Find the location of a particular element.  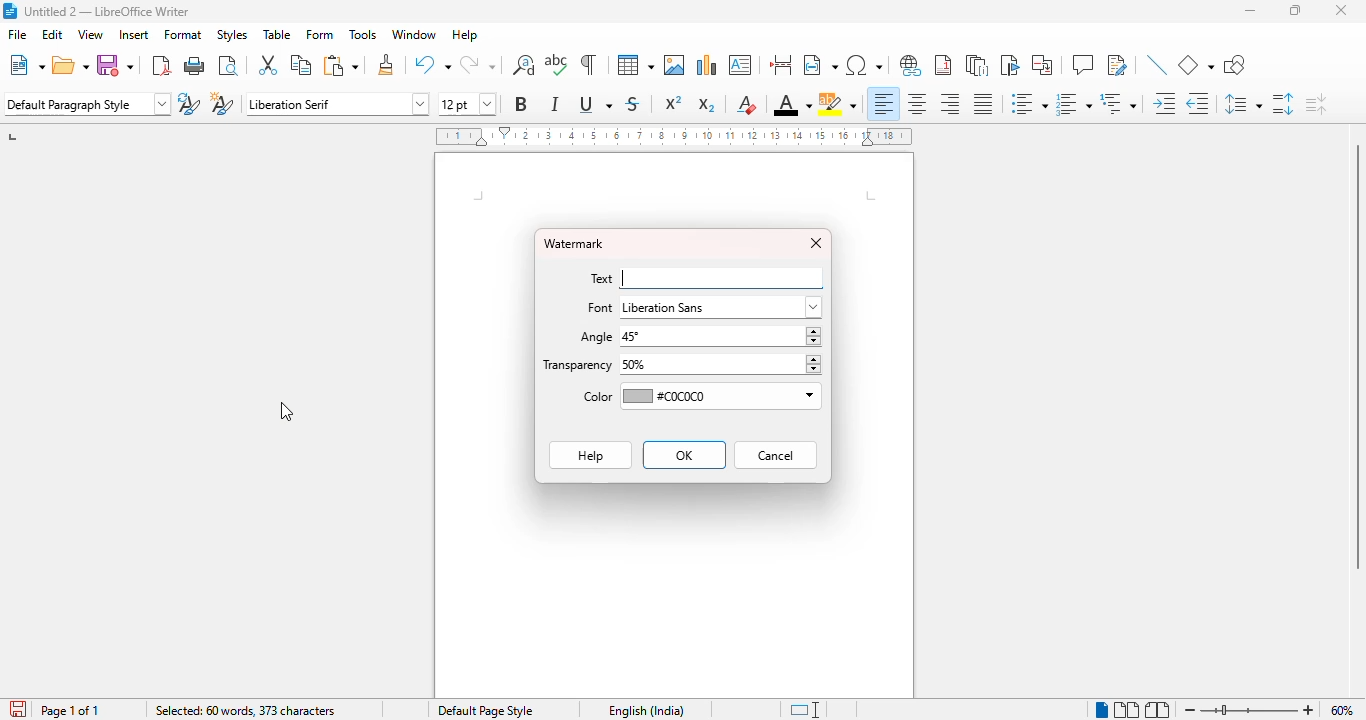

default page style is located at coordinates (486, 710).